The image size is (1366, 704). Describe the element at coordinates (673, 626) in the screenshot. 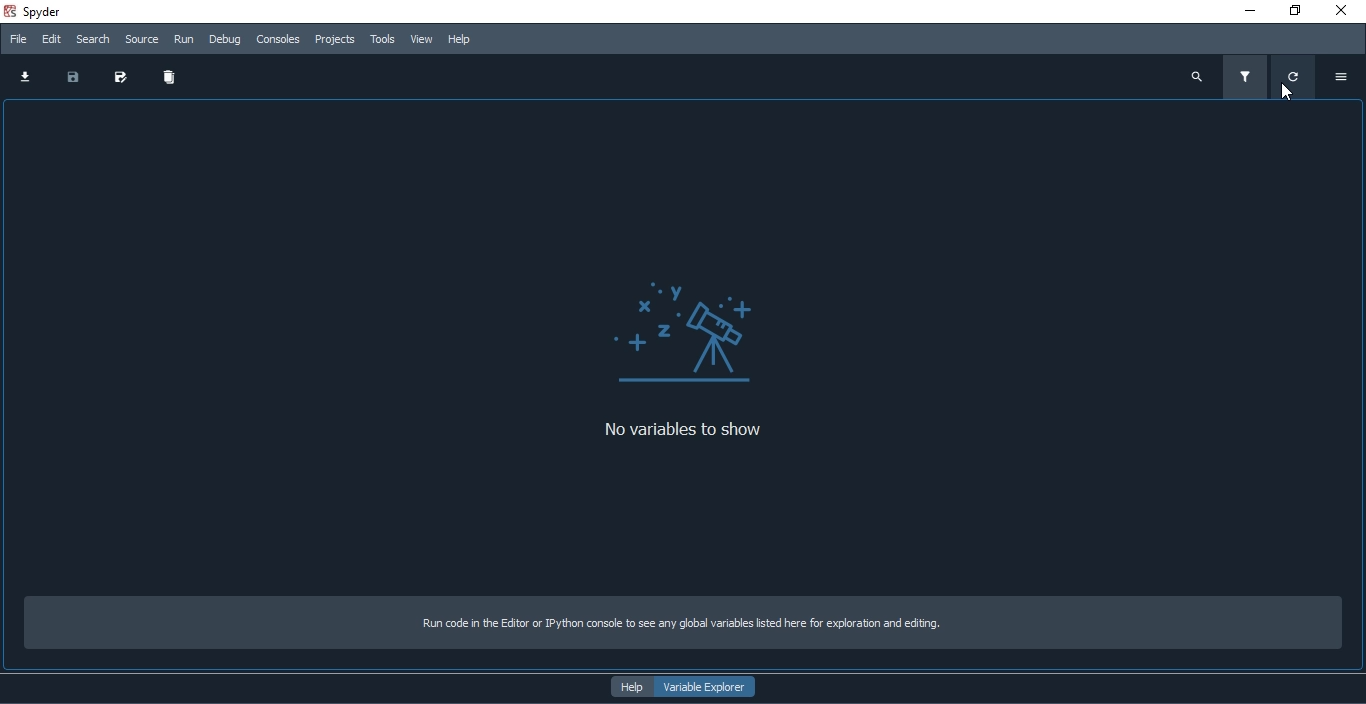

I see `Run code in the Editor or IPython console to see any global variables listed here for exploration and editing.` at that location.